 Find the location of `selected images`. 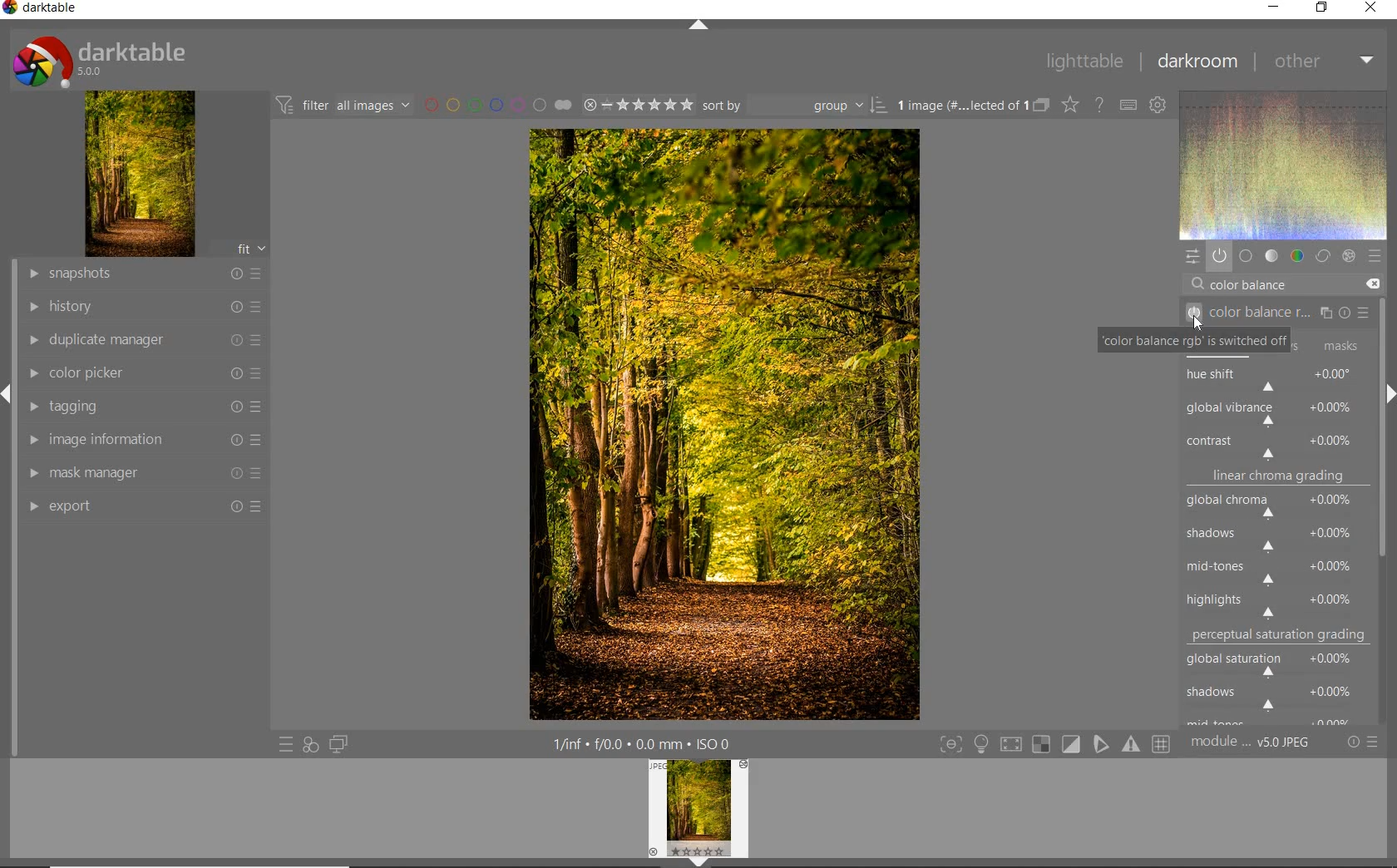

selected images is located at coordinates (959, 106).